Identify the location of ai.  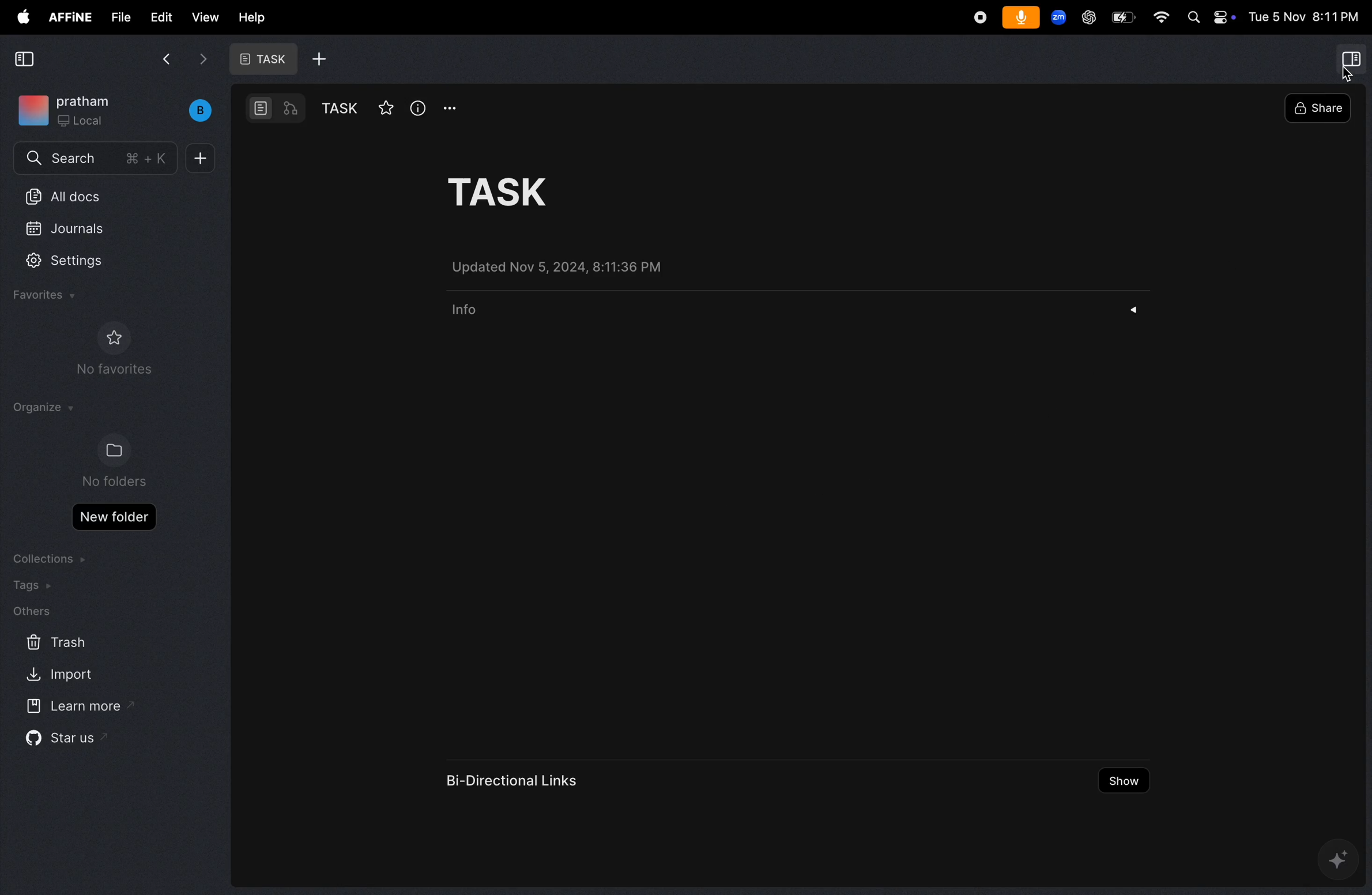
(1338, 860).